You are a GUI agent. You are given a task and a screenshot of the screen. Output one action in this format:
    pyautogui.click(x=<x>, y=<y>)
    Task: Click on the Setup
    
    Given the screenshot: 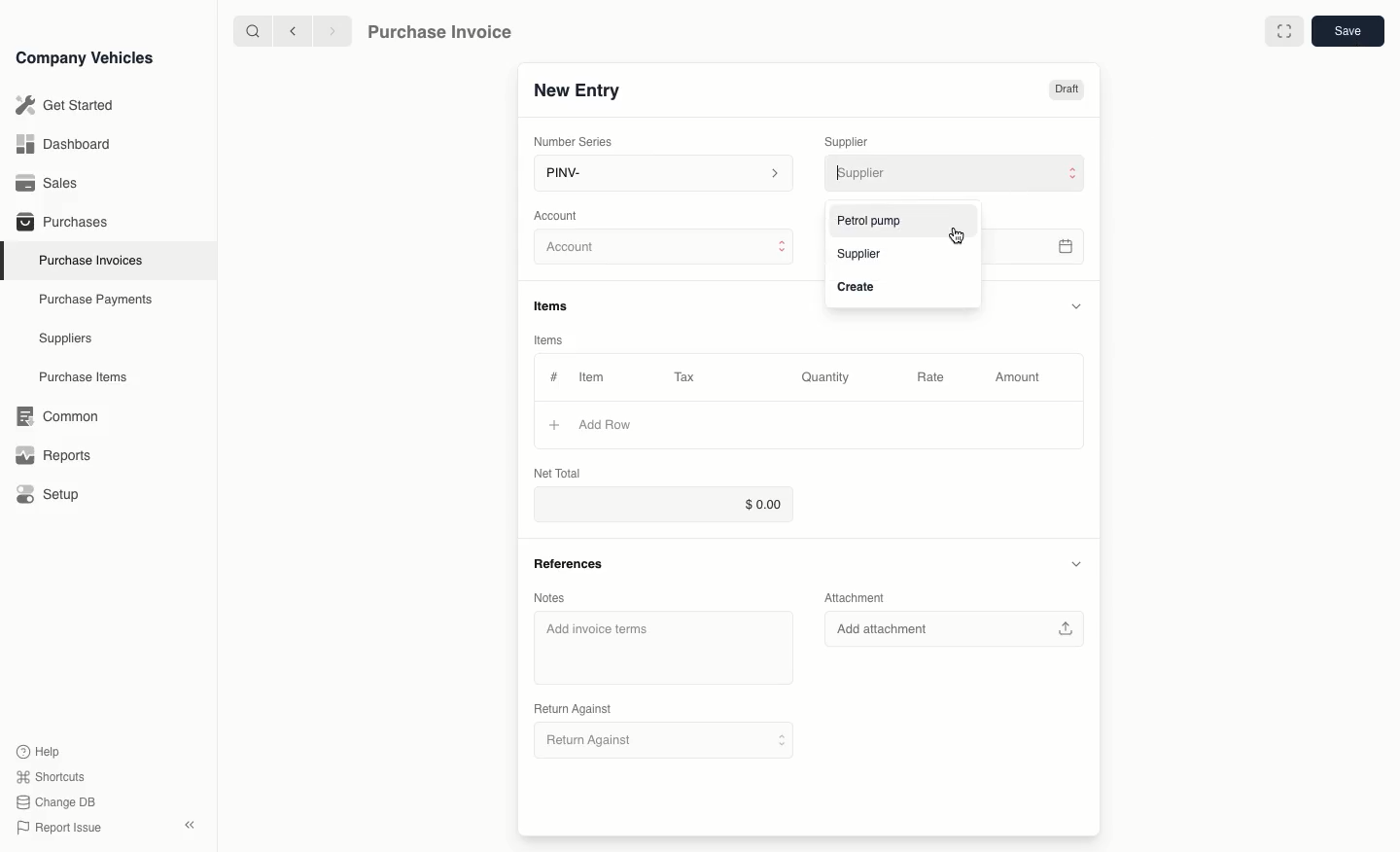 What is the action you would take?
    pyautogui.click(x=52, y=495)
    